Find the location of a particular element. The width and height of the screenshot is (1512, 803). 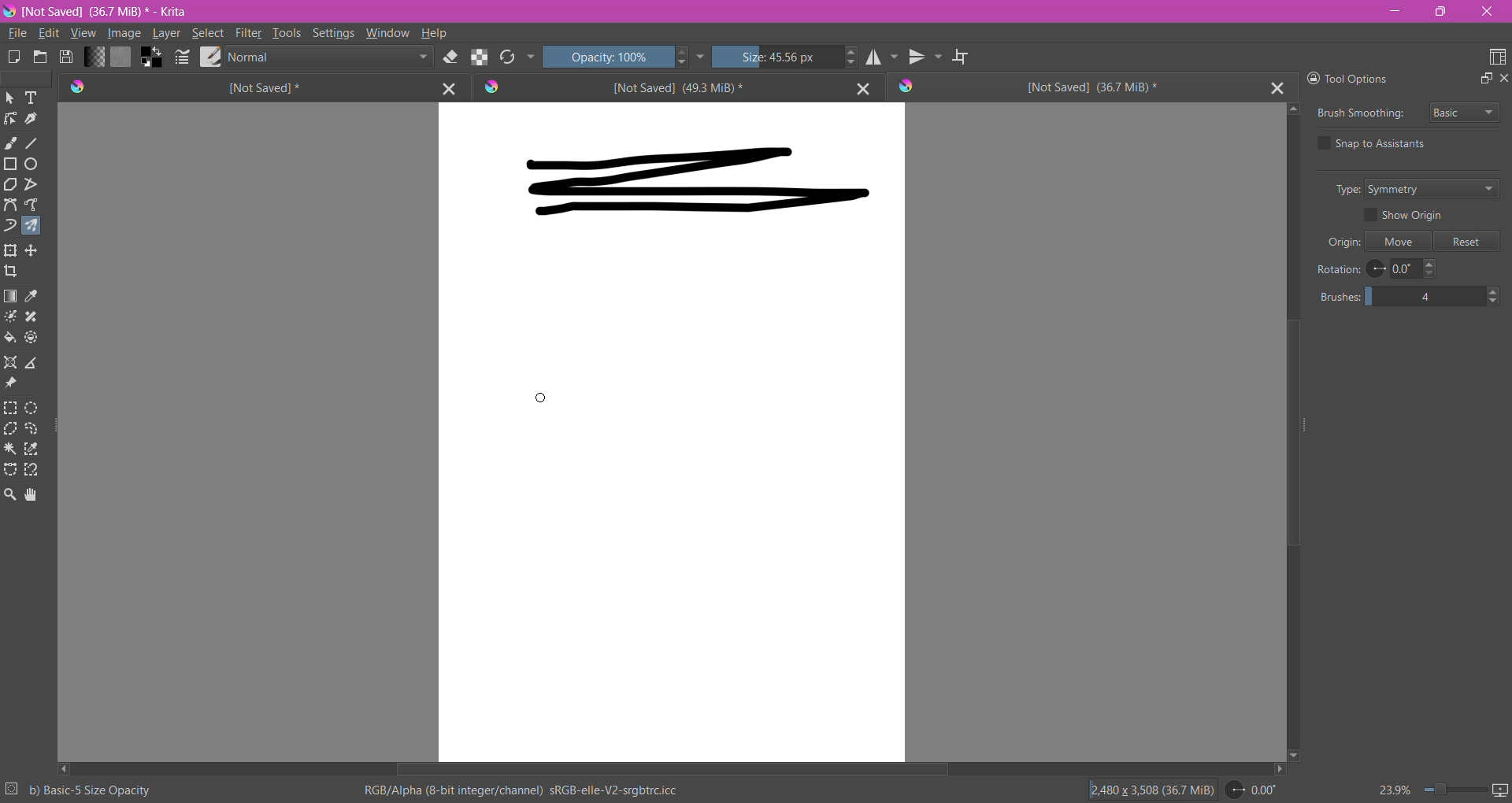

Select Shapes Tool is located at coordinates (10, 98).